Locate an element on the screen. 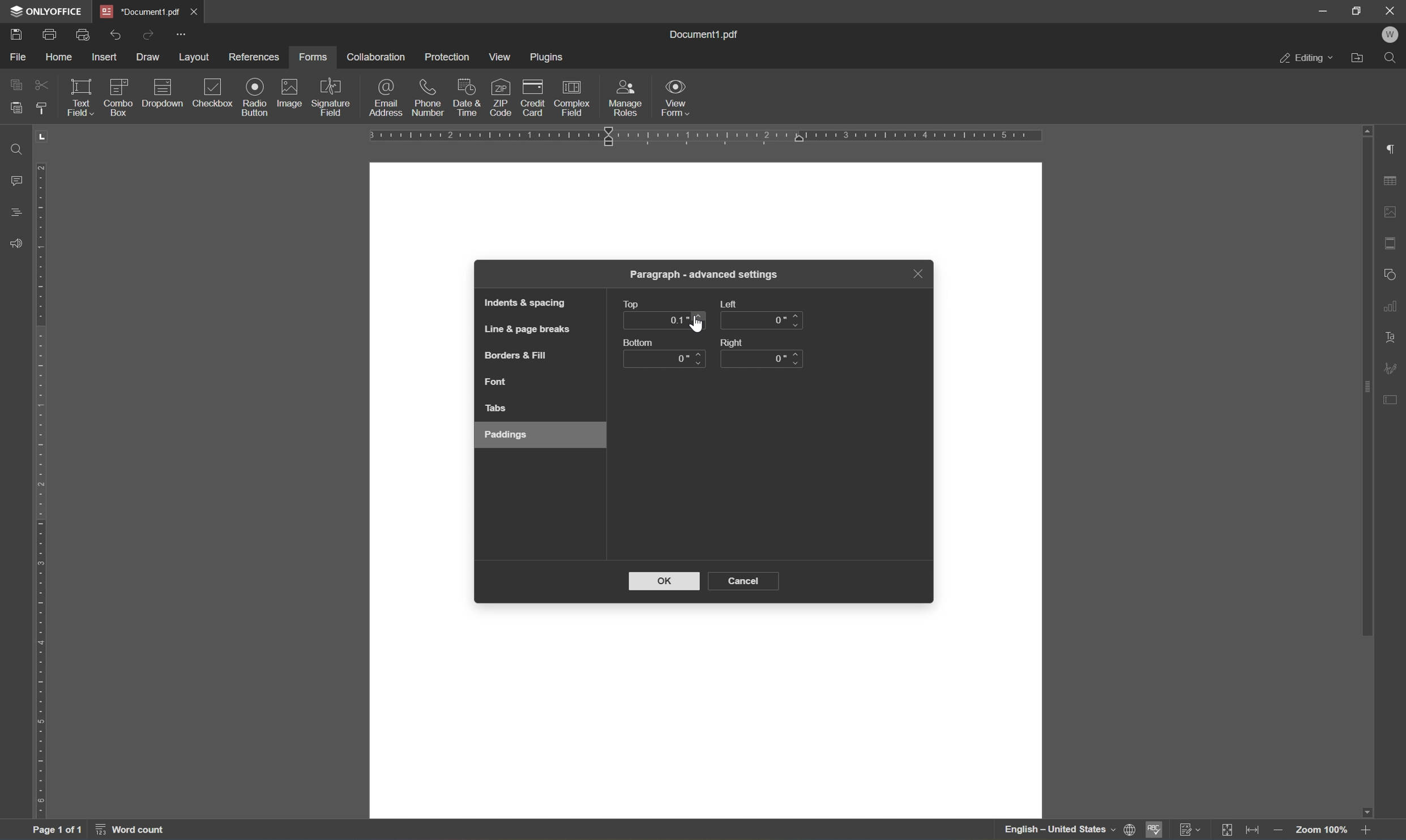 The height and width of the screenshot is (840, 1406). spell checking is located at coordinates (1153, 830).